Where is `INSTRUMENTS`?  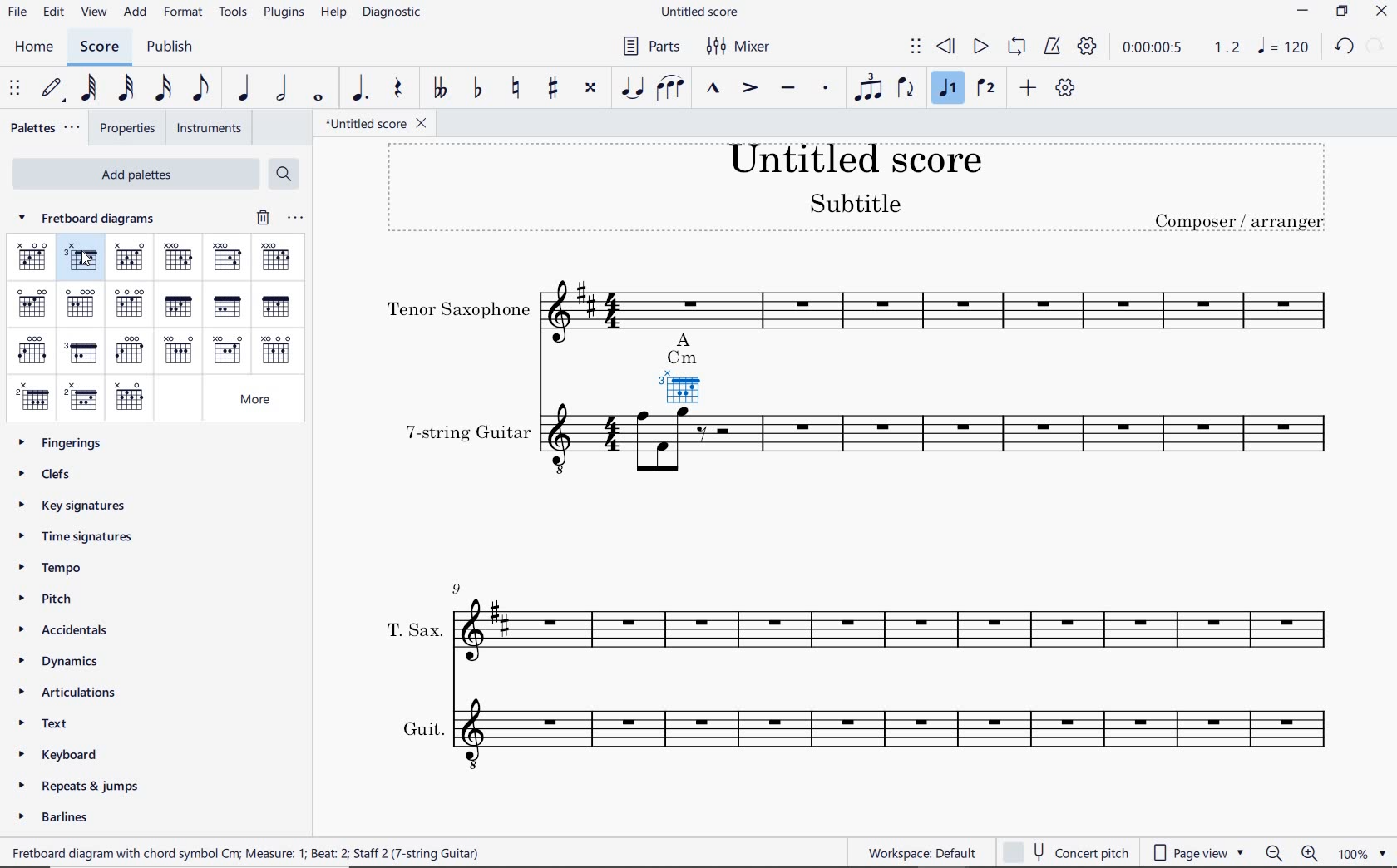
INSTRUMENTS is located at coordinates (210, 129).